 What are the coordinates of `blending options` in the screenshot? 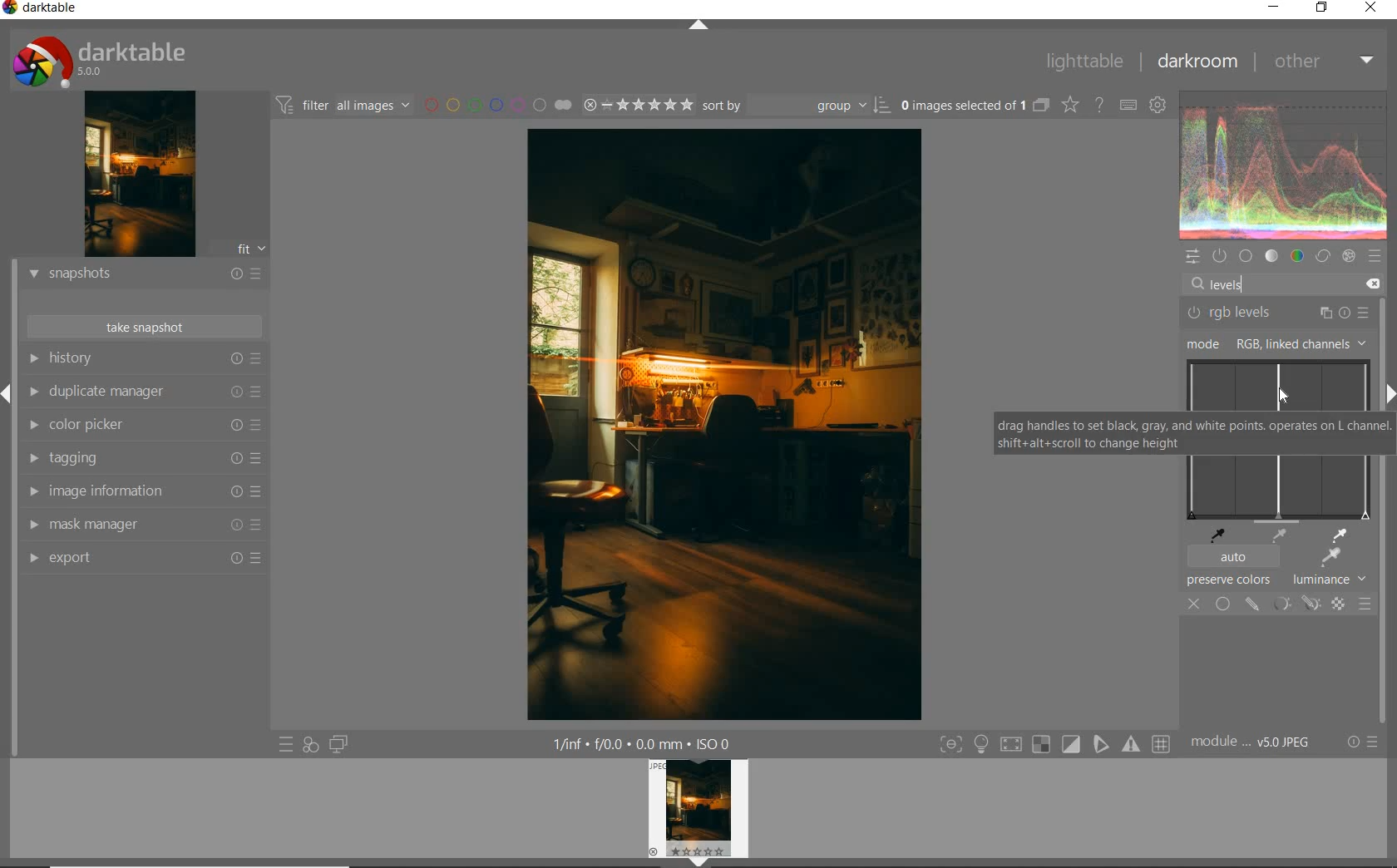 It's located at (1365, 604).